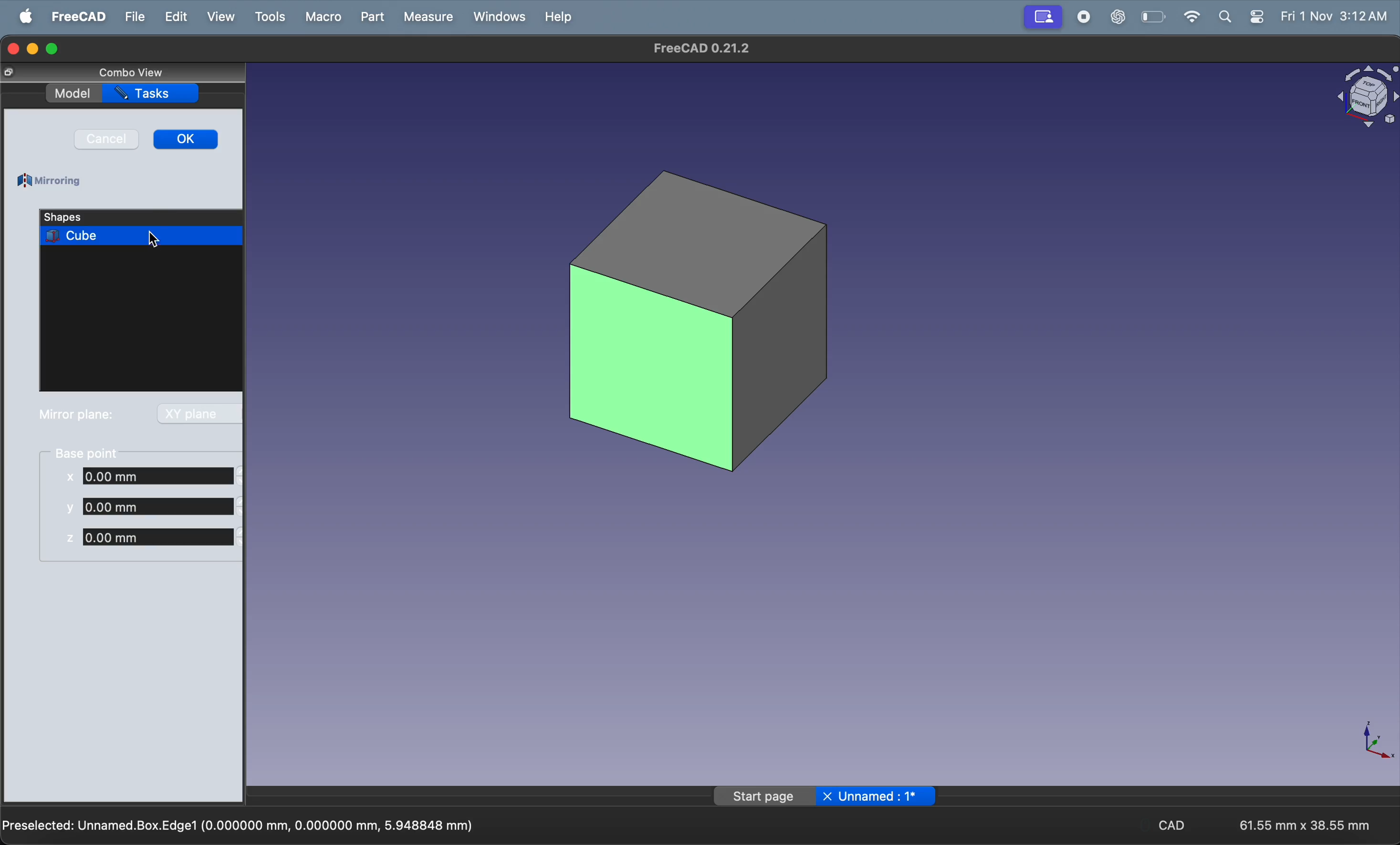 The height and width of the screenshot is (845, 1400). Describe the element at coordinates (1041, 17) in the screenshot. I see `profile` at that location.